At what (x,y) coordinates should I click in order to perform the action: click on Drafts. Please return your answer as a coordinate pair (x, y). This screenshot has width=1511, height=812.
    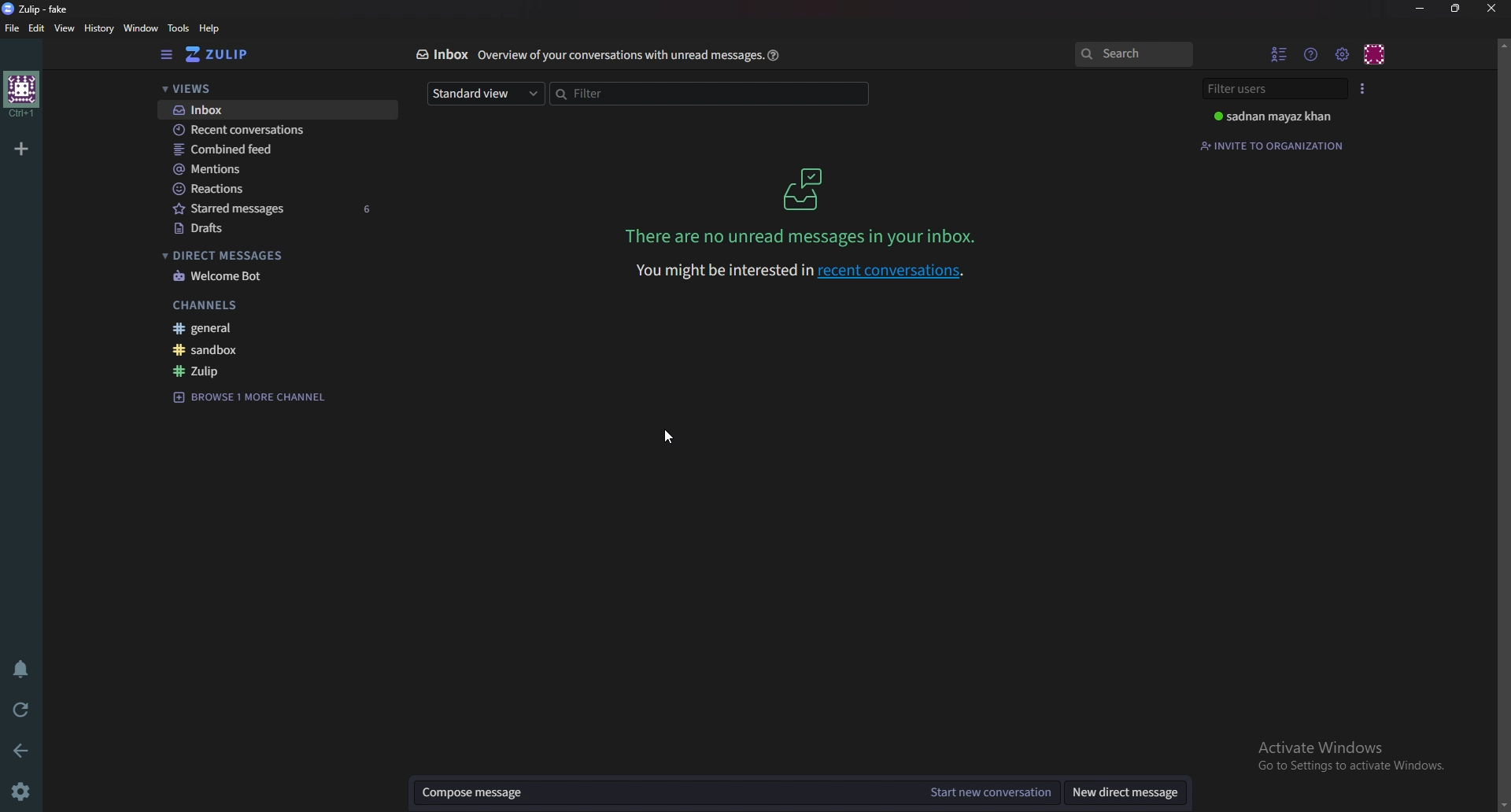
    Looking at the image, I should click on (286, 227).